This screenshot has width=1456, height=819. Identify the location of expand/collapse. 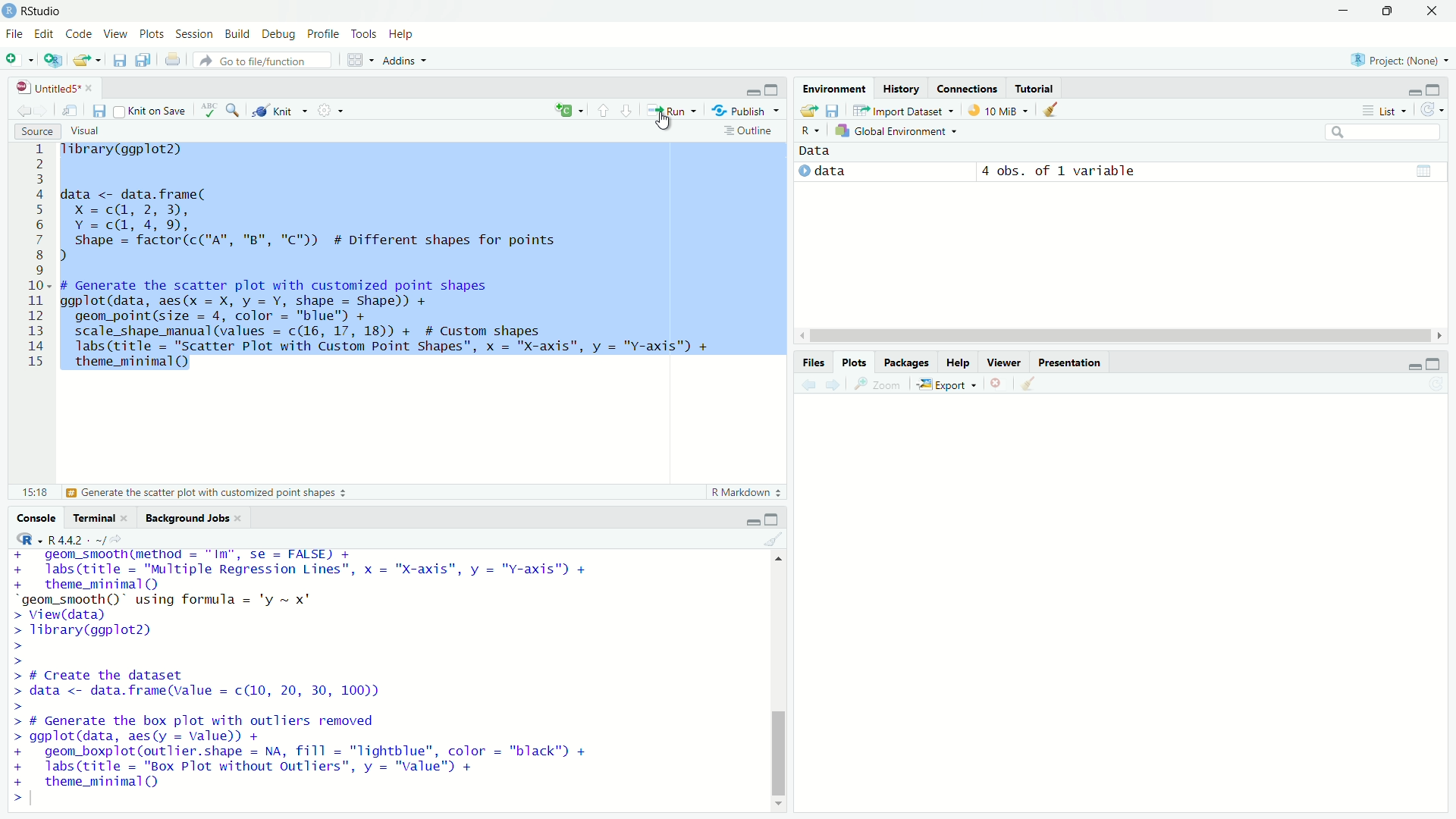
(802, 170).